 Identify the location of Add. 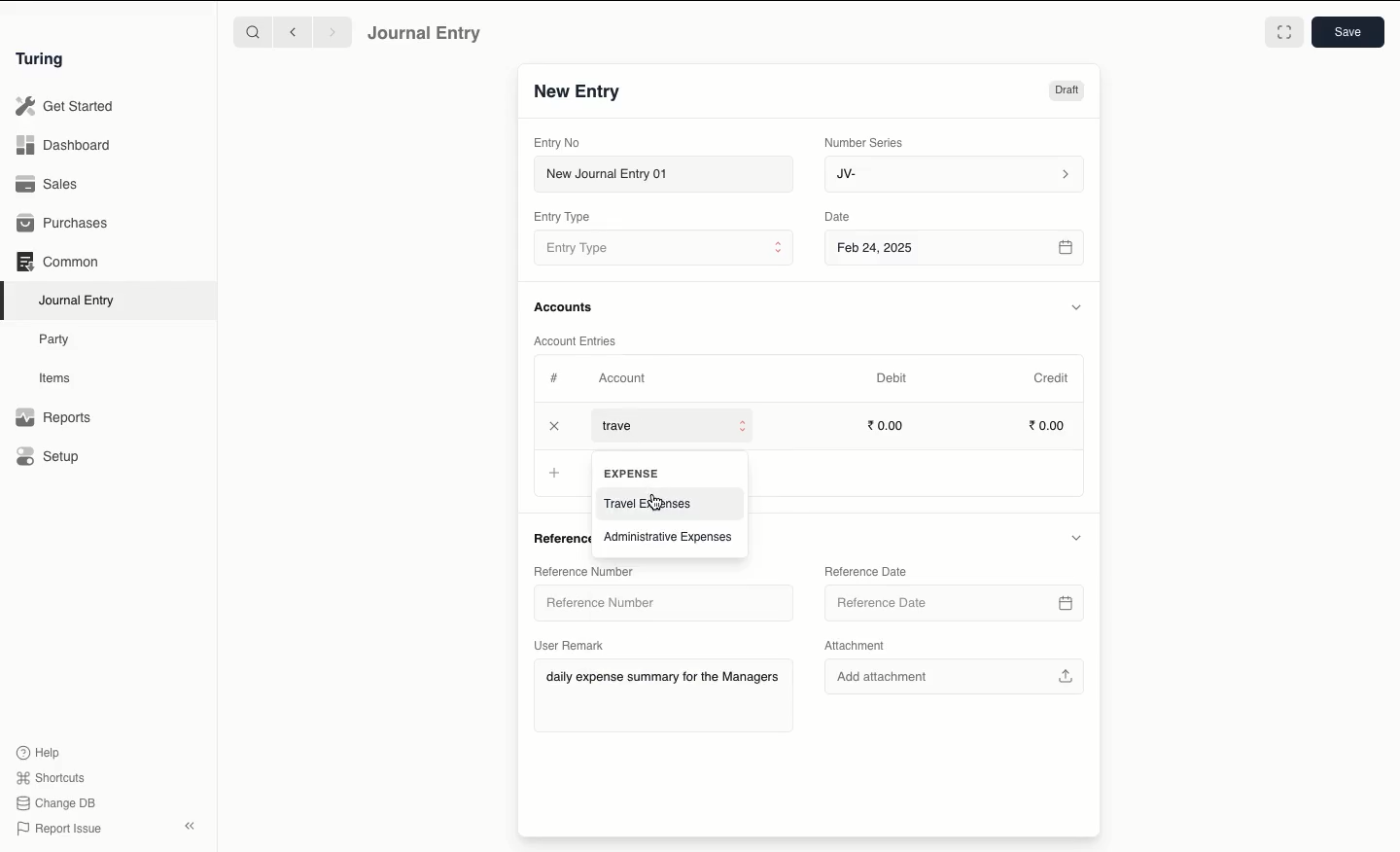
(553, 470).